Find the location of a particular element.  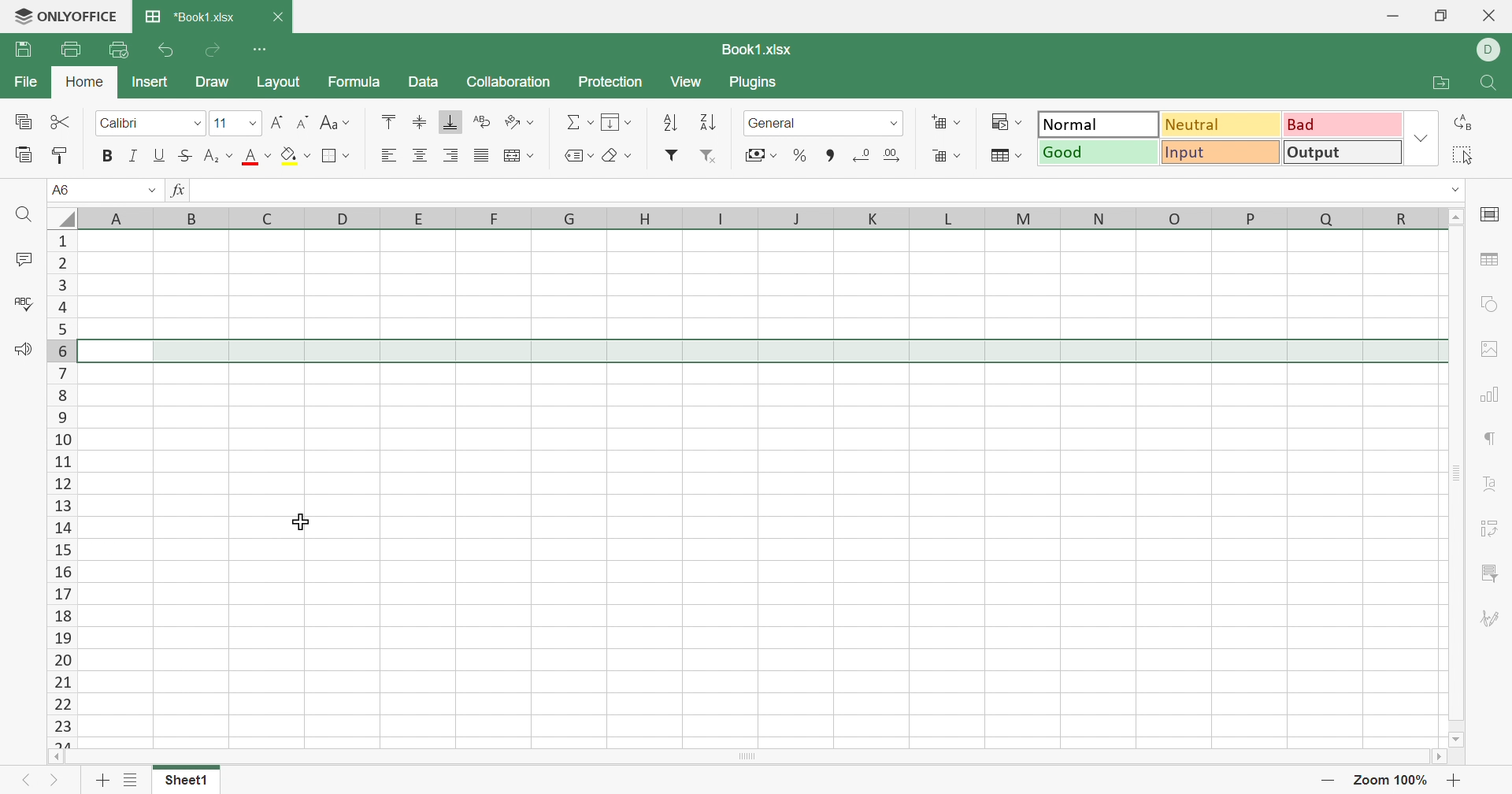

*Book1.xlsx is located at coordinates (190, 14).